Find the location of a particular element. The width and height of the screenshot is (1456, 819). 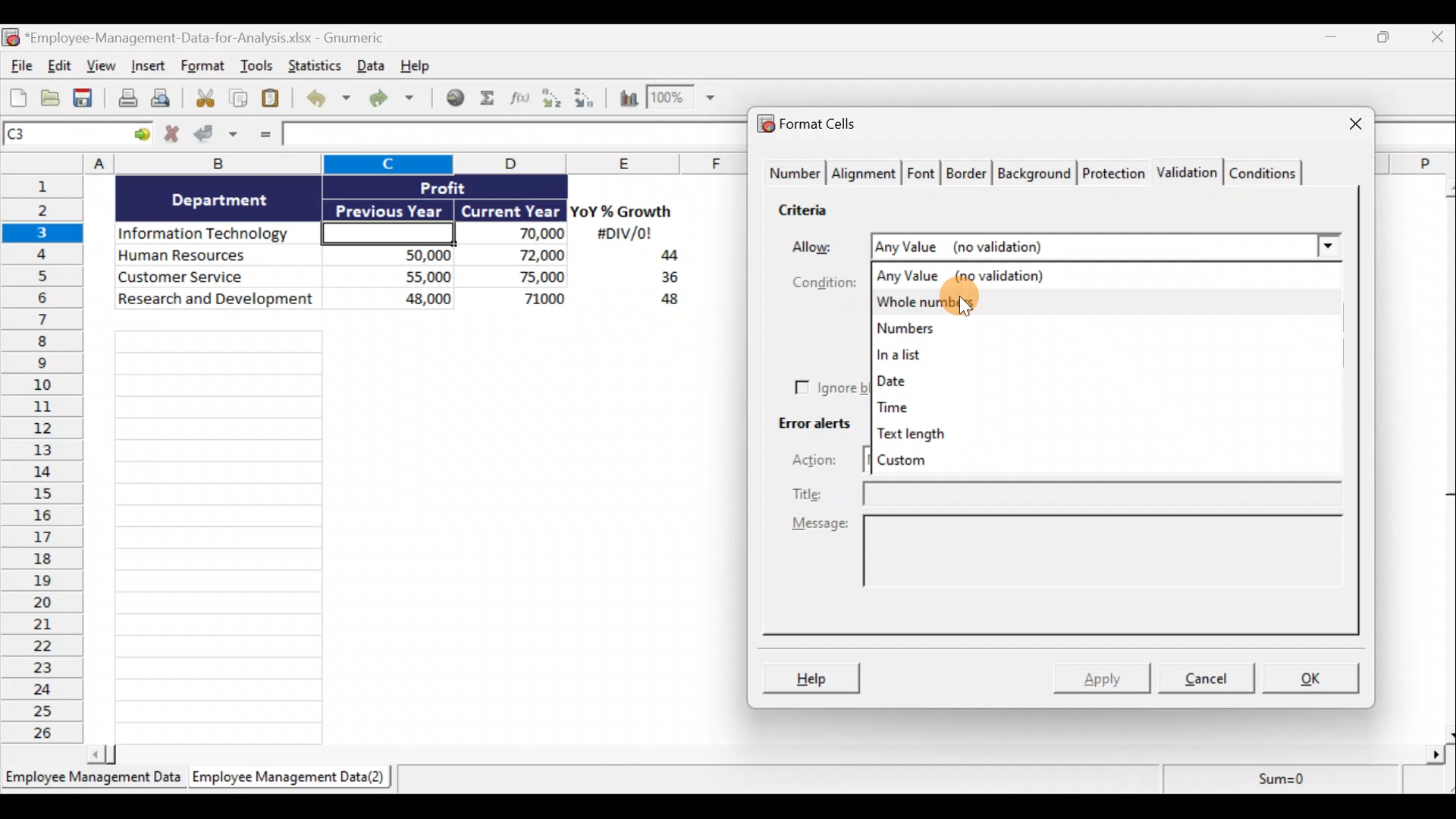

Cell C3 is located at coordinates (384, 231).